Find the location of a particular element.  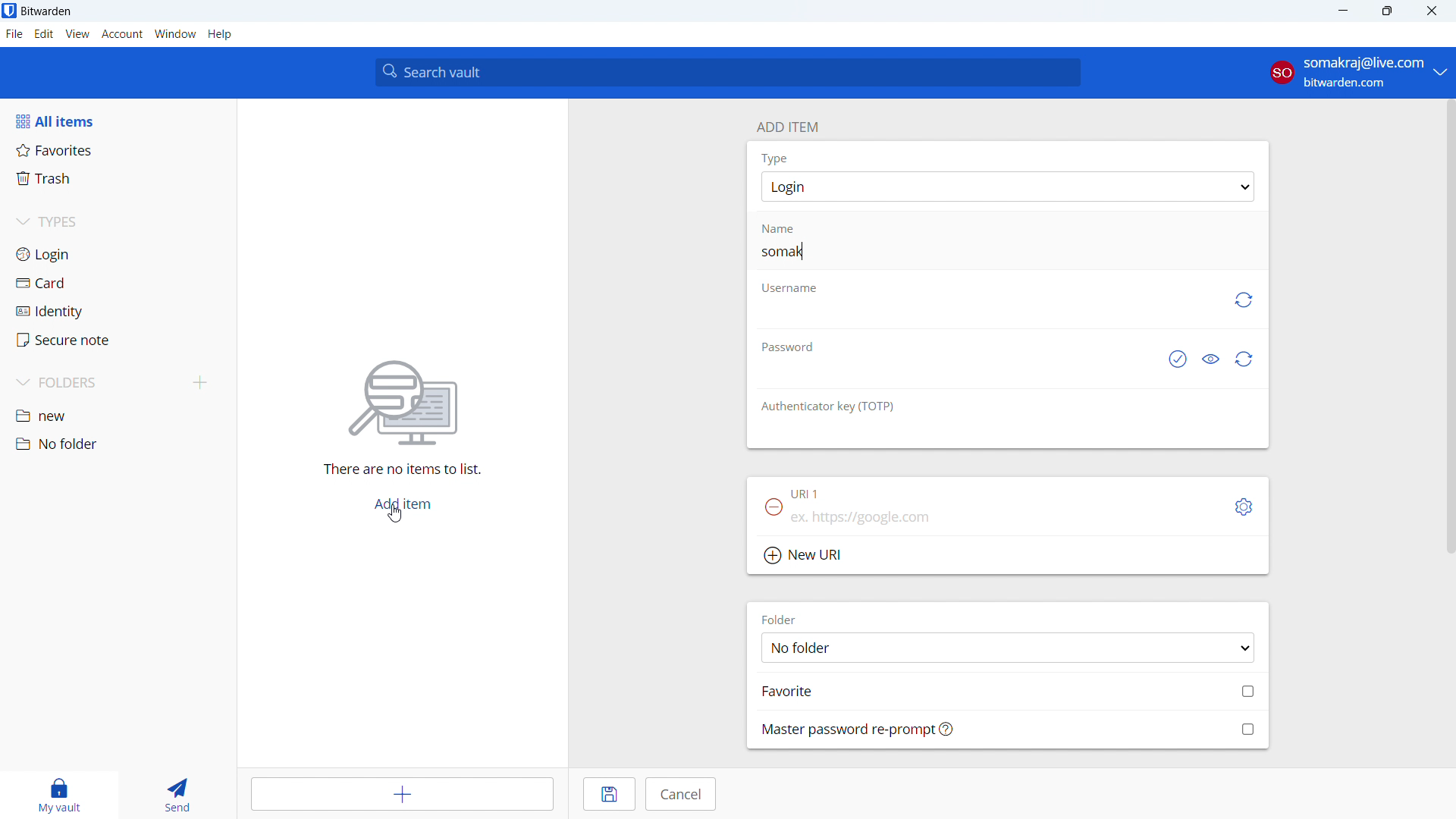

folders is located at coordinates (96, 383).